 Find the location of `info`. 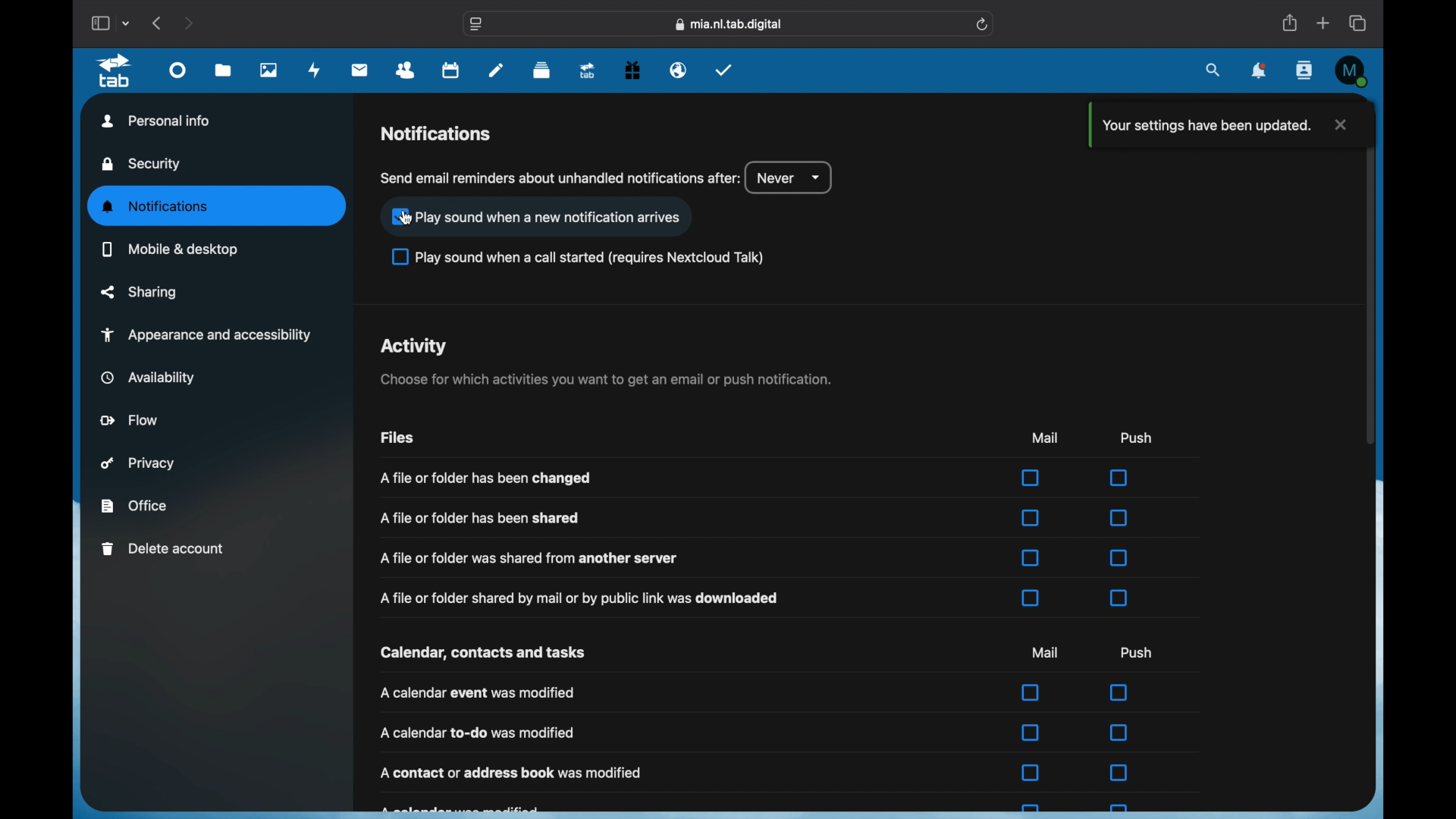

info is located at coordinates (532, 557).